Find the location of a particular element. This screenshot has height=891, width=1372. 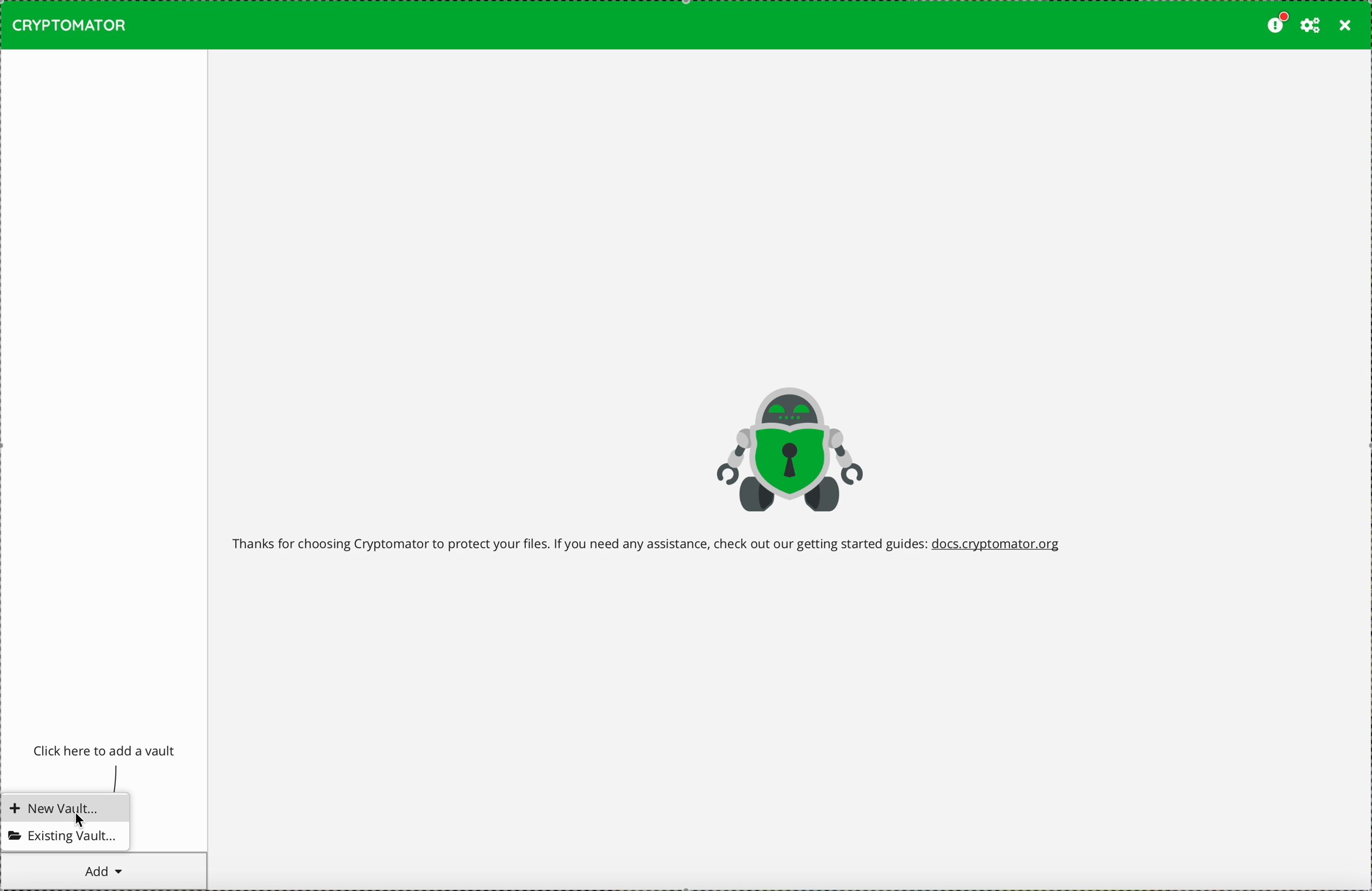

Cryptomator logo is located at coordinates (791, 450).